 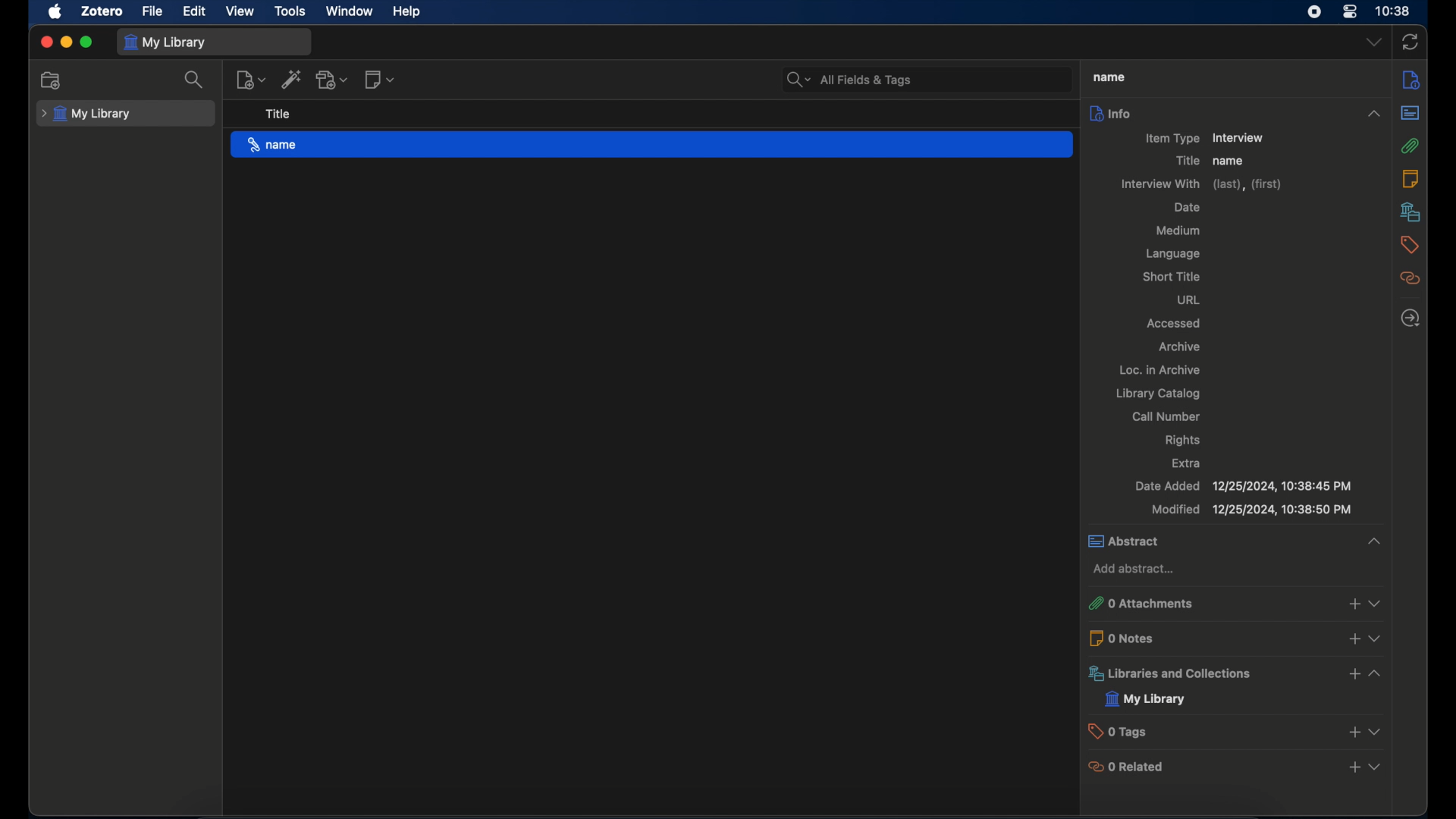 What do you see at coordinates (1119, 731) in the screenshot?
I see `0 tags` at bounding box center [1119, 731].